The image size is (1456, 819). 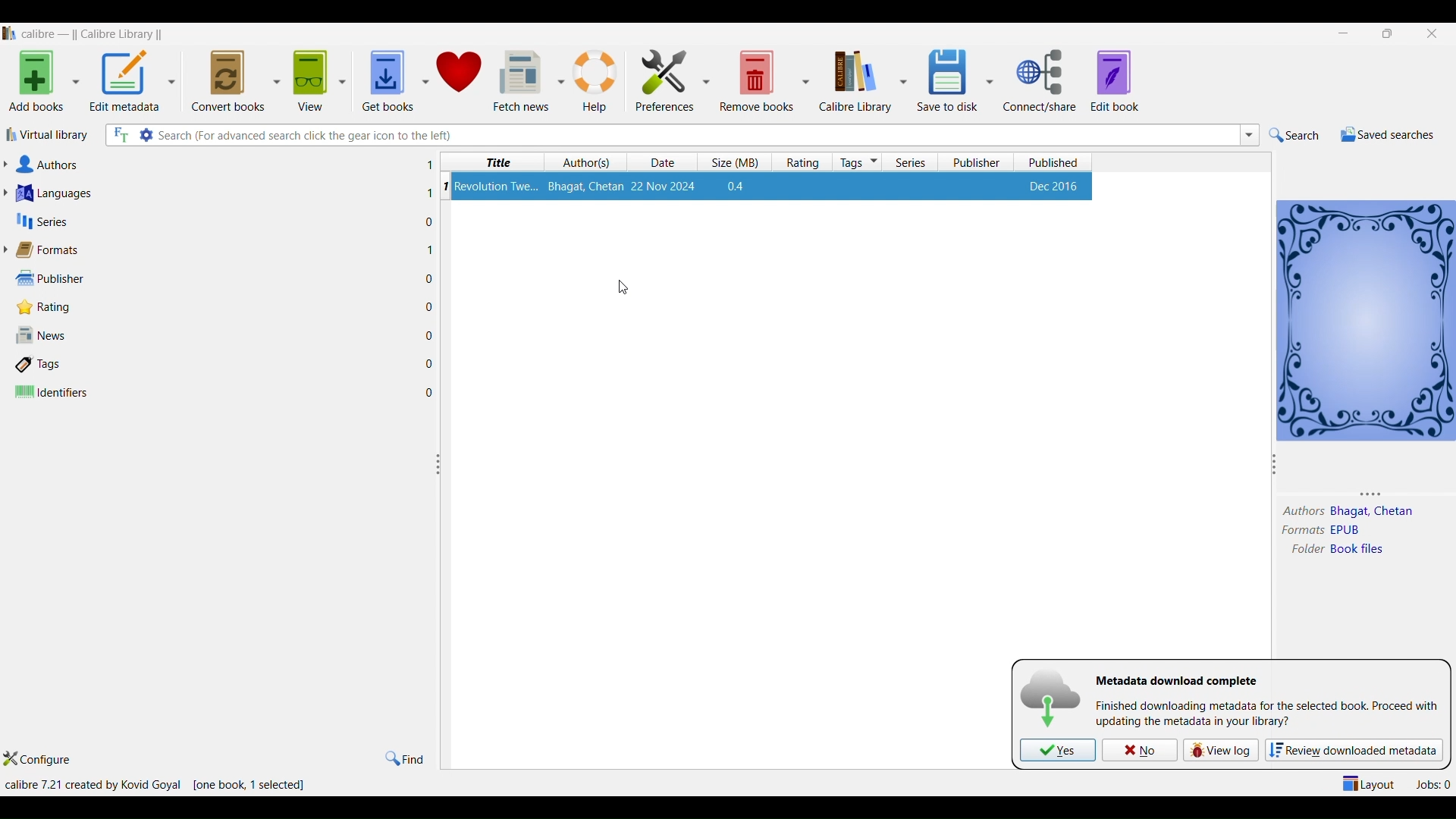 What do you see at coordinates (757, 79) in the screenshot?
I see `remove books` at bounding box center [757, 79].